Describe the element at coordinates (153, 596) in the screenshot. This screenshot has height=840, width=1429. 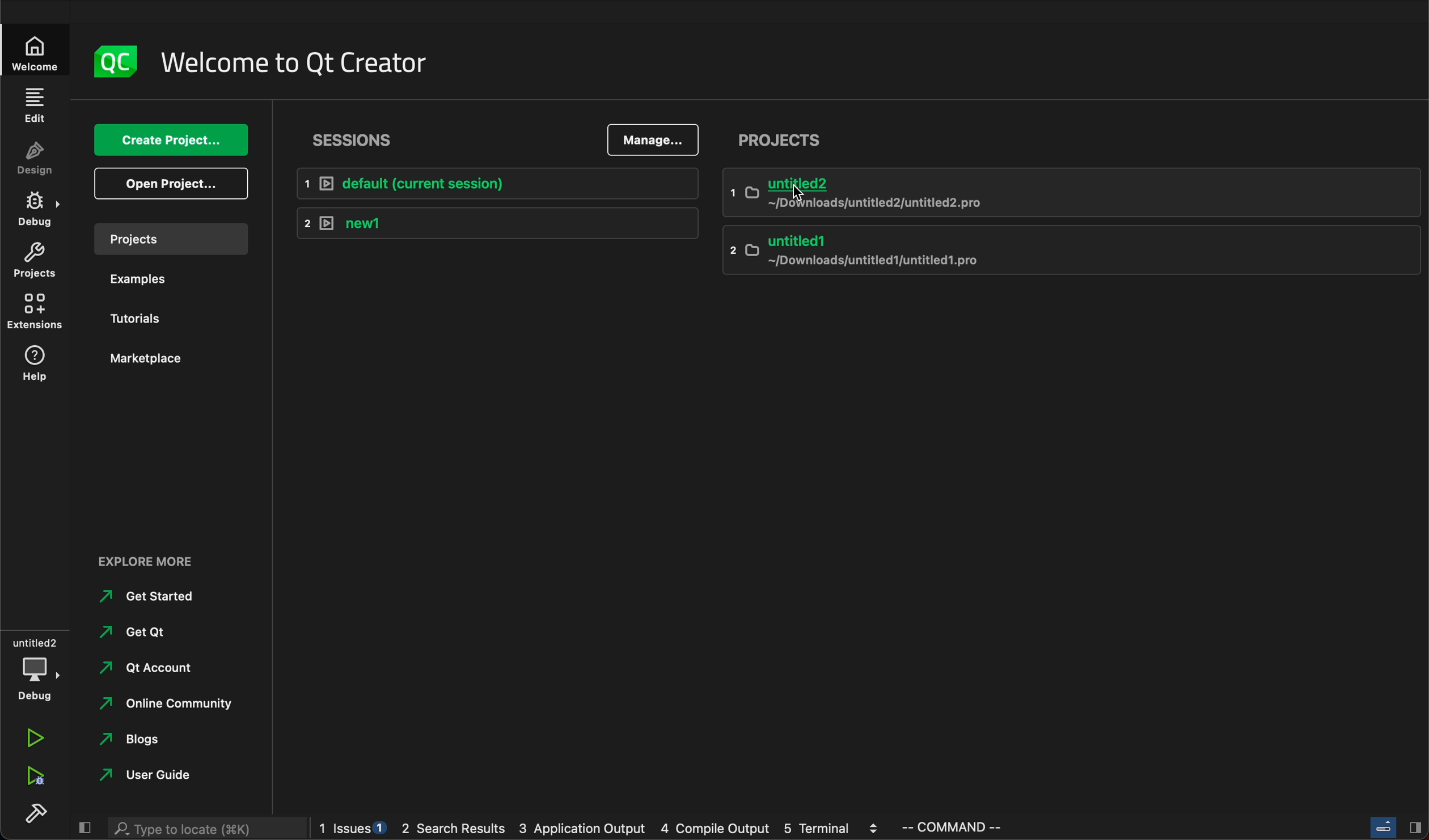
I see `get strarted` at that location.